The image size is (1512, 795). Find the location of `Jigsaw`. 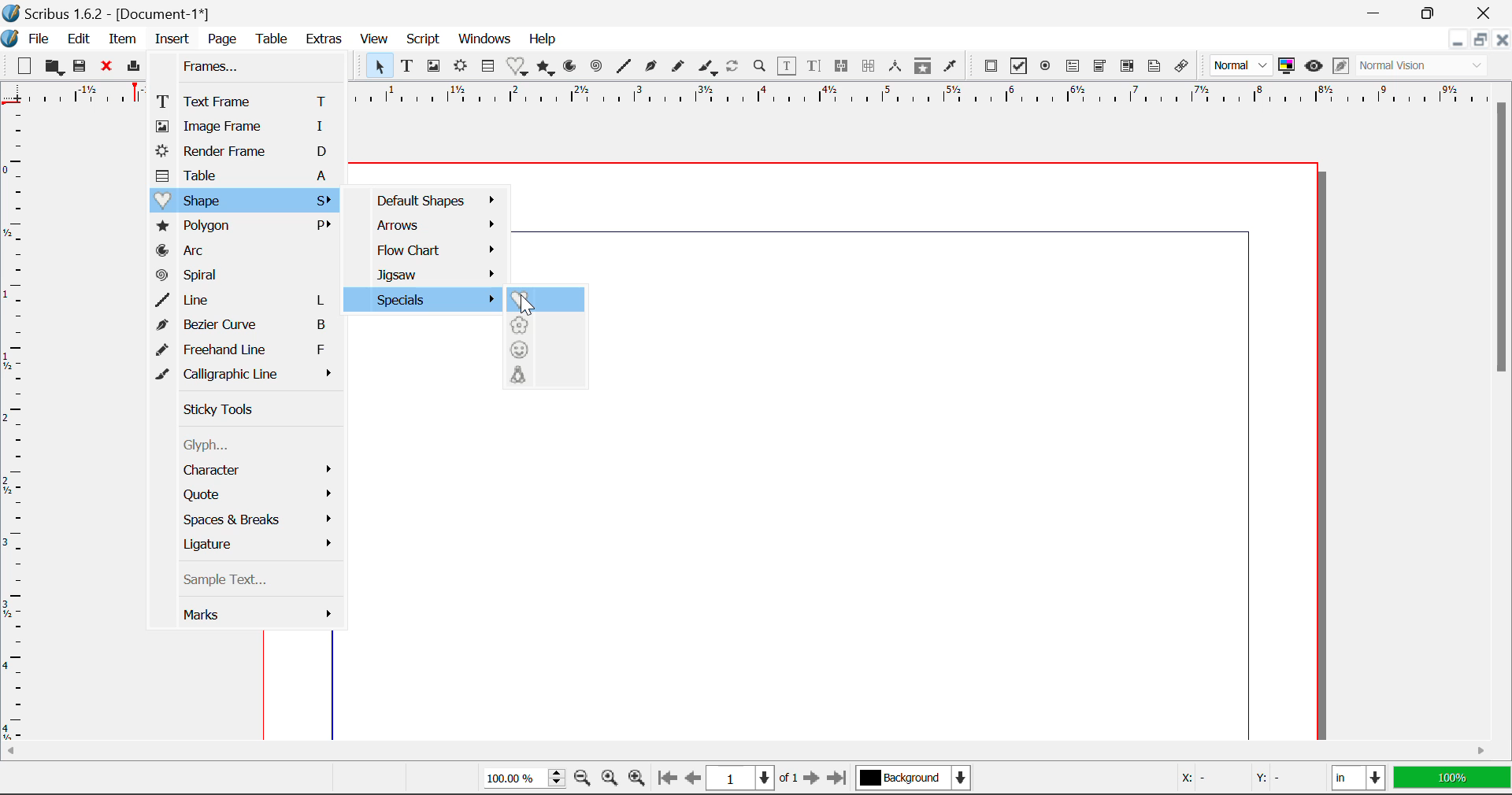

Jigsaw is located at coordinates (426, 275).